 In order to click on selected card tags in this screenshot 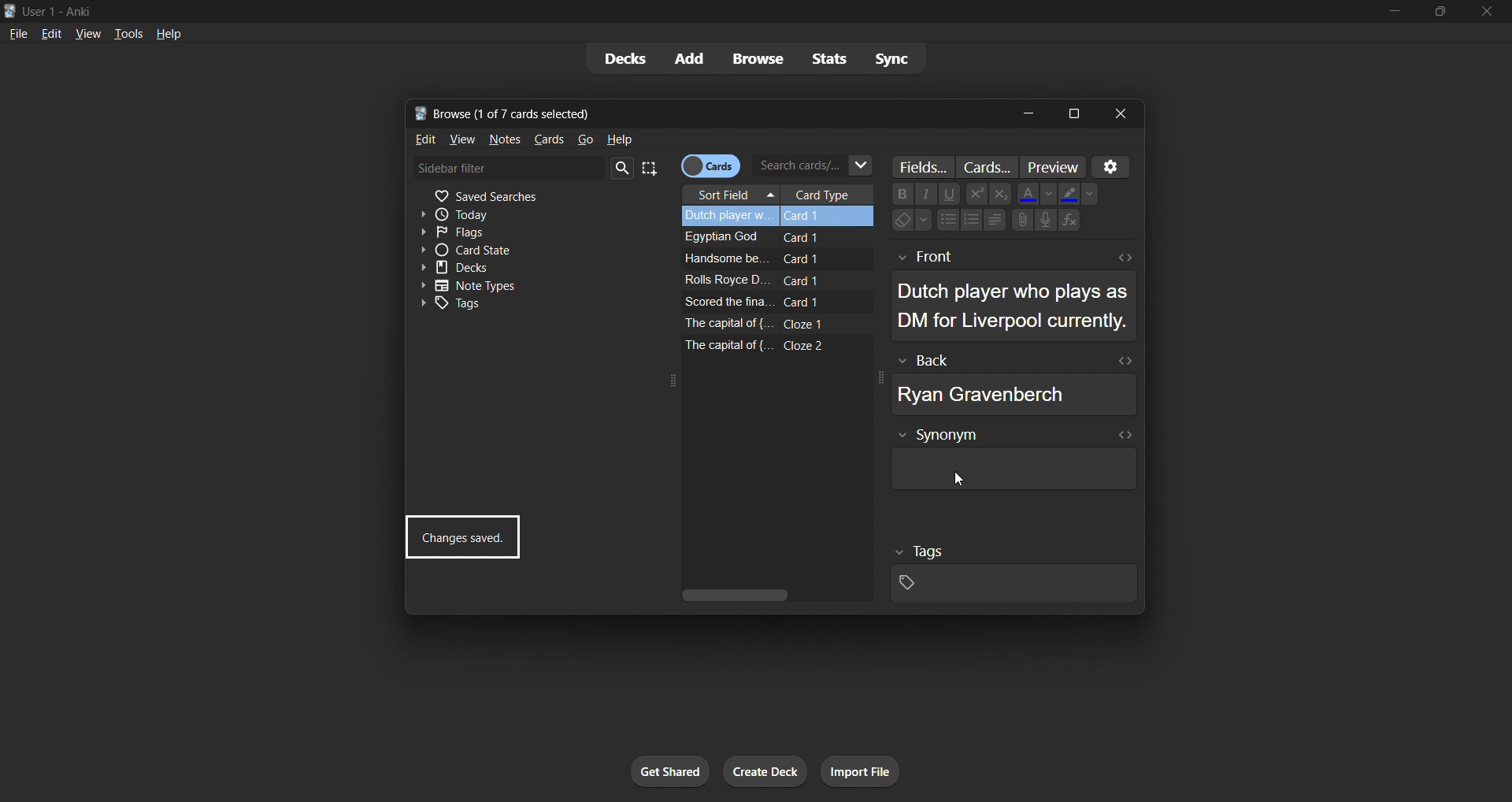, I will do `click(1018, 577)`.